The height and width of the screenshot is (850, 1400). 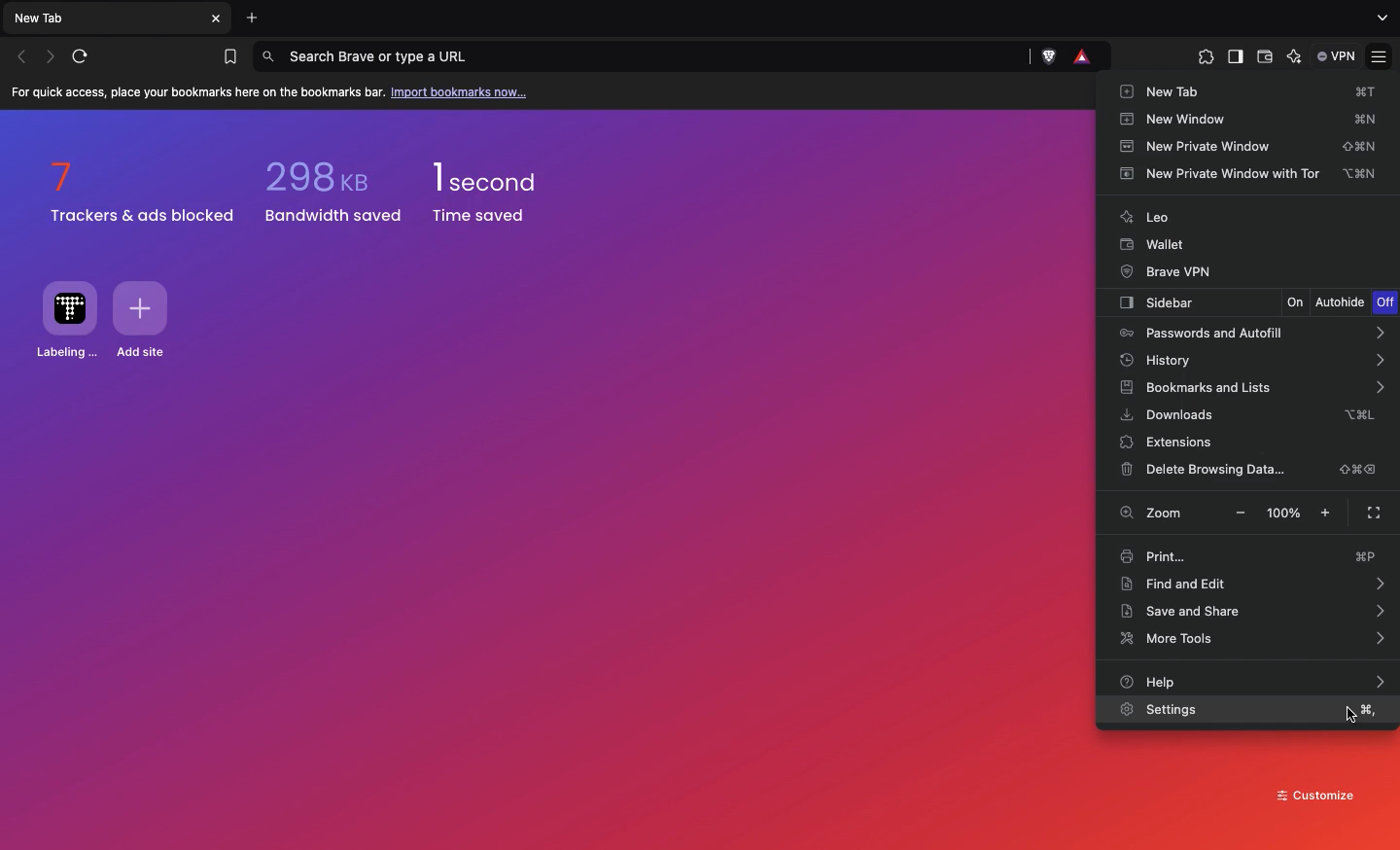 I want to click on Make text larger, so click(x=1329, y=512).